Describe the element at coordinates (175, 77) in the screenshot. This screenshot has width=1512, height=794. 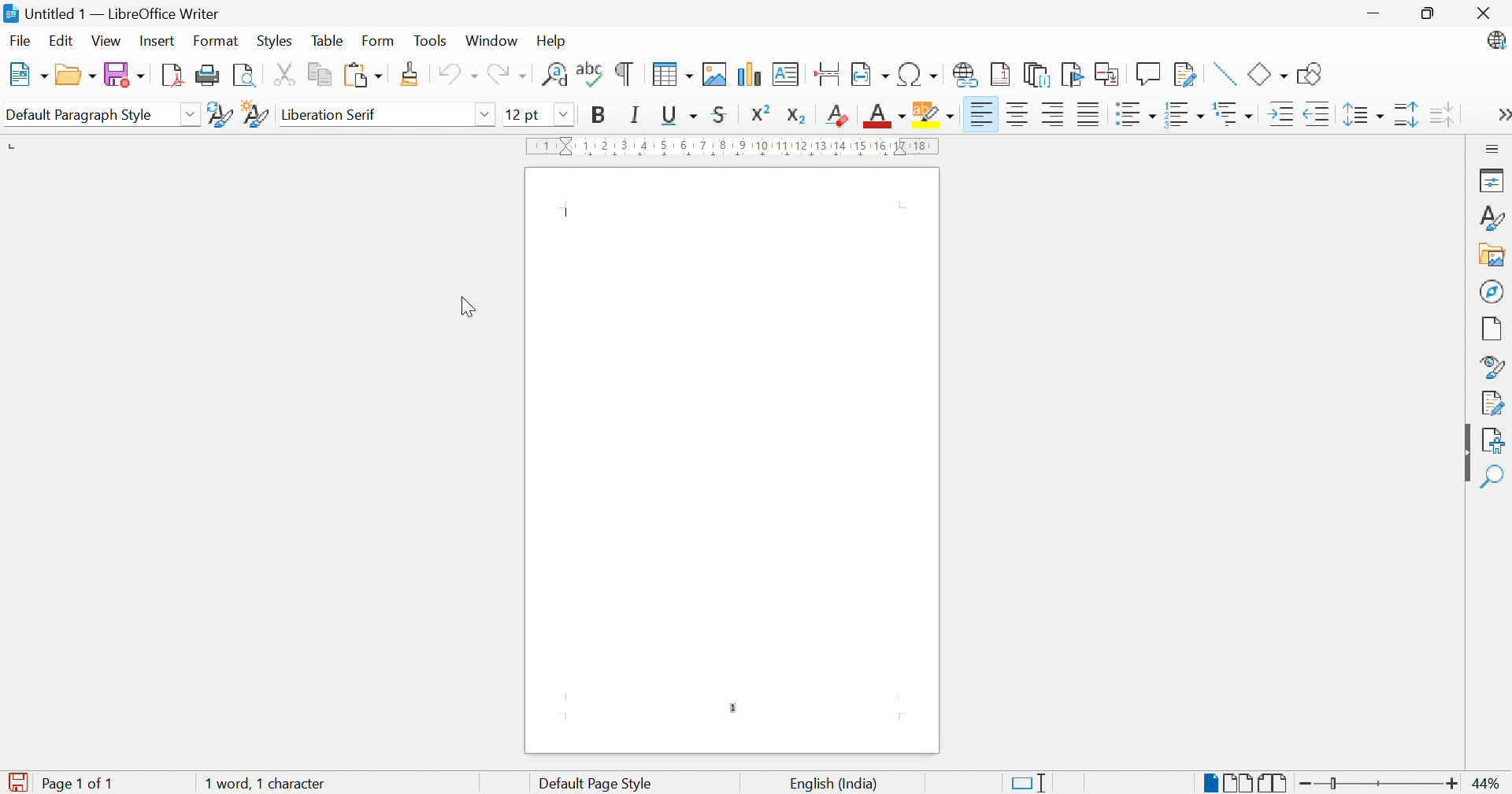
I see `Export directly as PDF` at that location.